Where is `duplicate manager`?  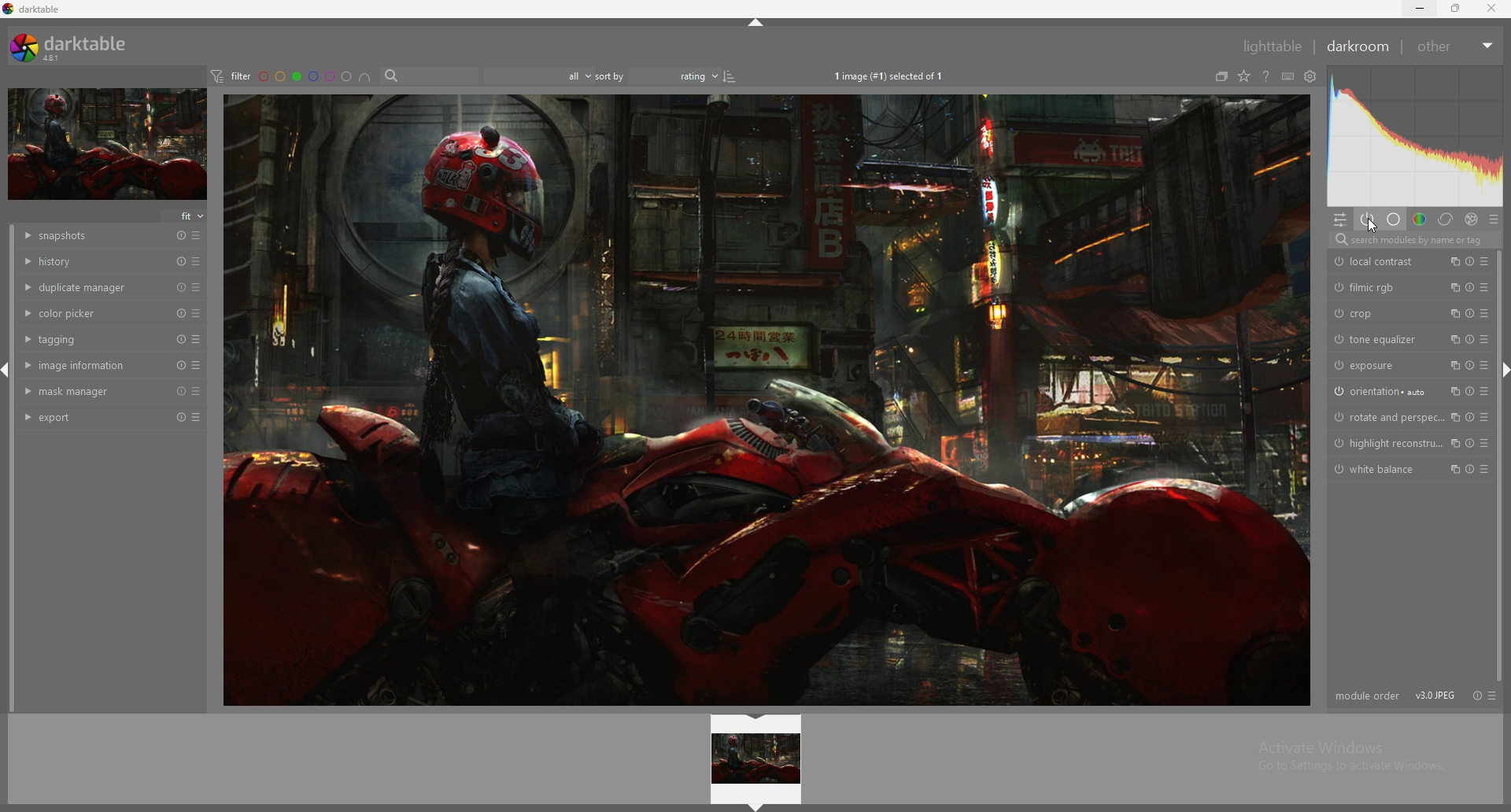
duplicate manager is located at coordinates (94, 286).